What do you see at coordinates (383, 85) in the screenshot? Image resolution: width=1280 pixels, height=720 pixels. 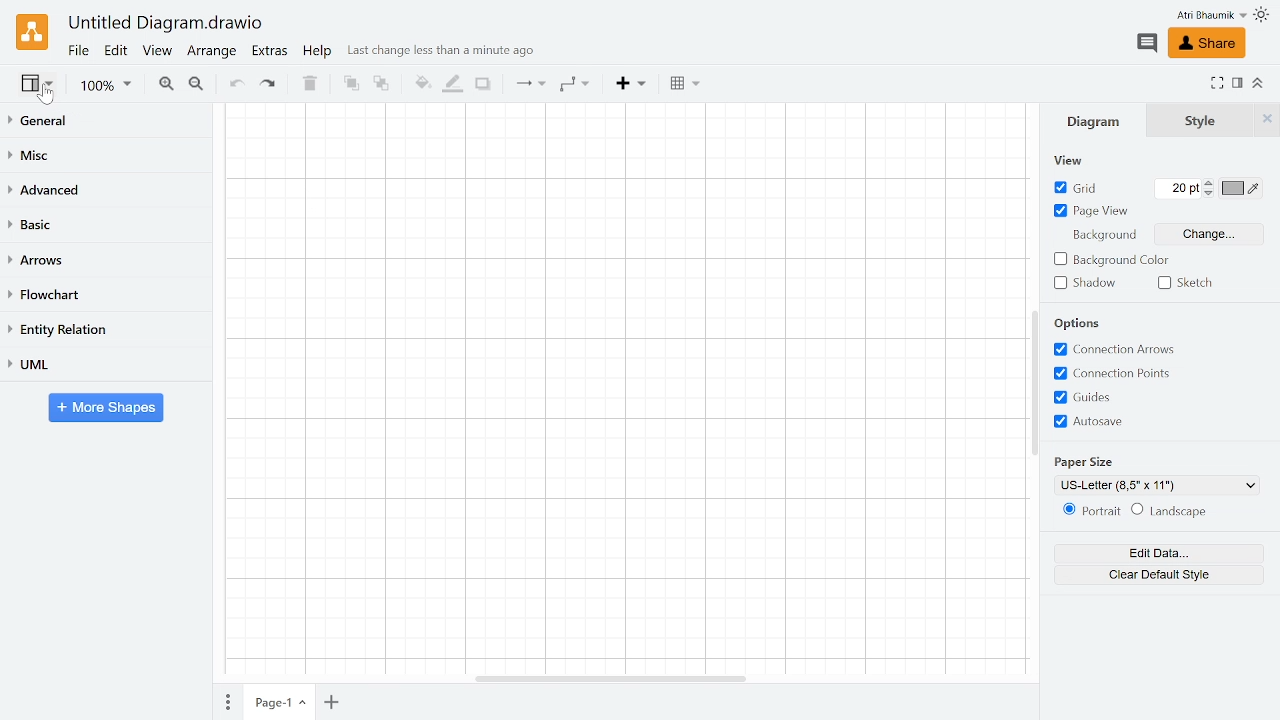 I see `To back` at bounding box center [383, 85].